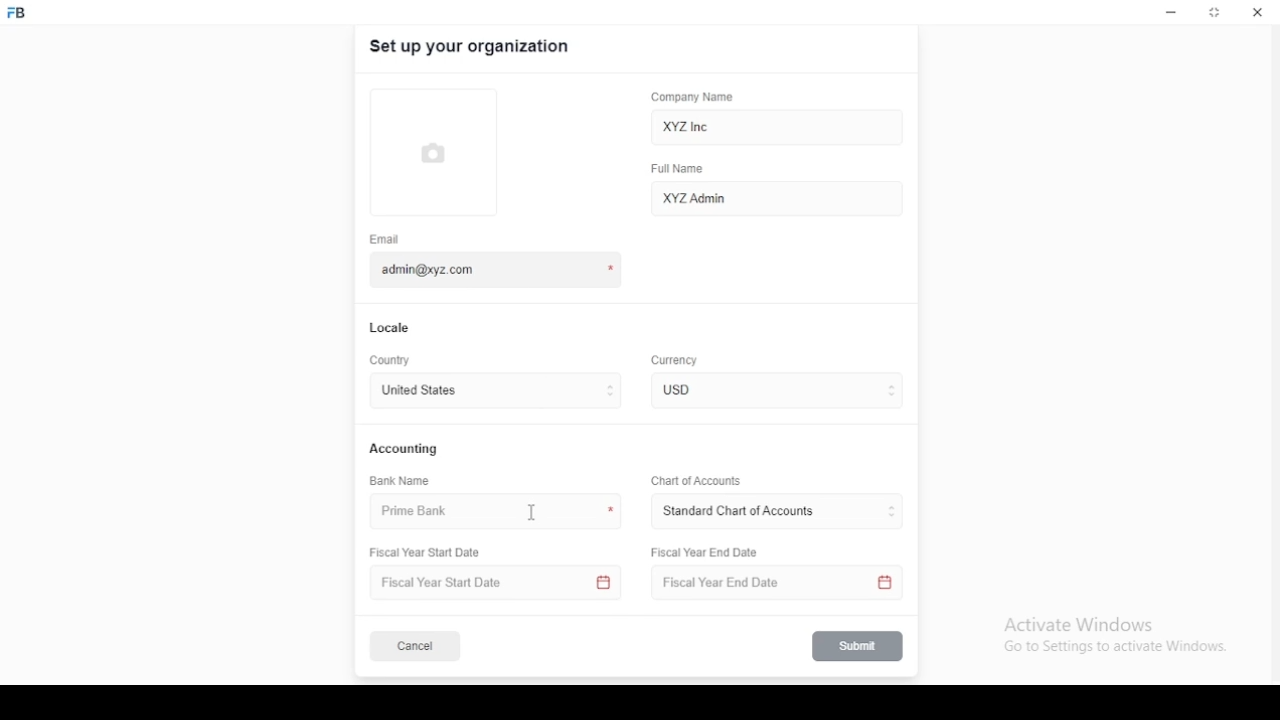 This screenshot has height=720, width=1280. Describe the element at coordinates (392, 361) in the screenshot. I see `country` at that location.